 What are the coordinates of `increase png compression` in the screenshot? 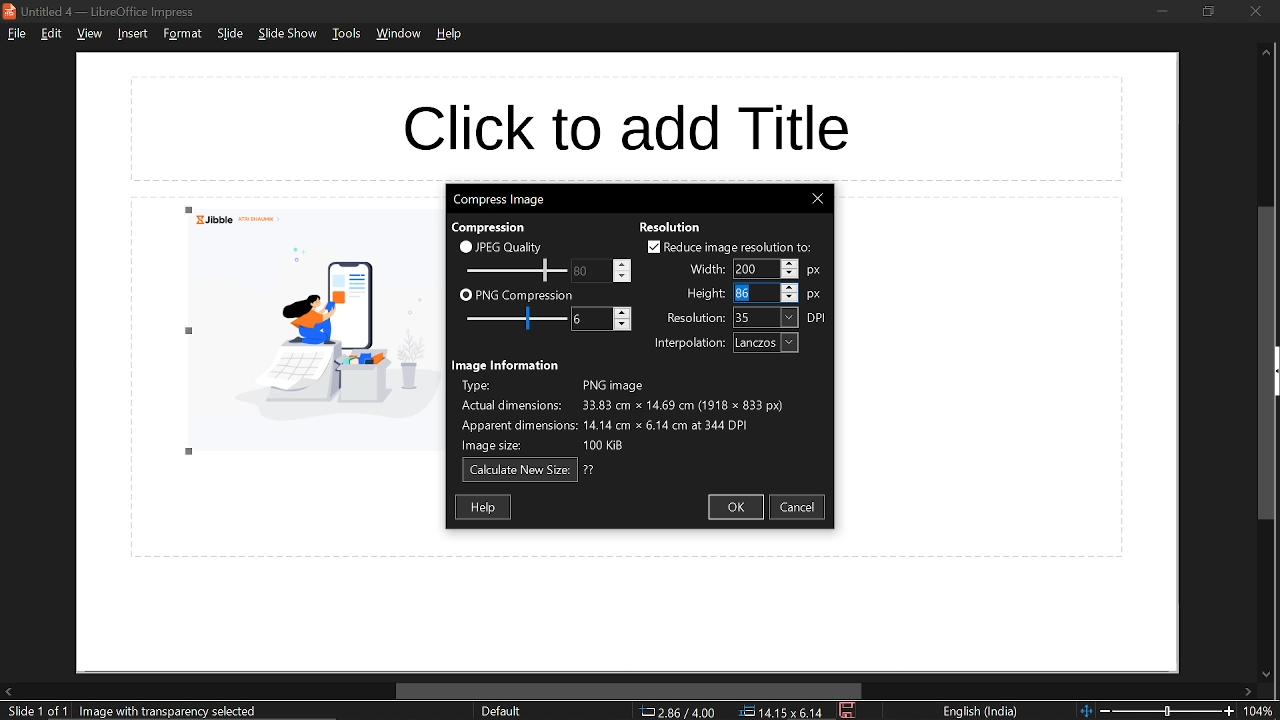 It's located at (623, 312).